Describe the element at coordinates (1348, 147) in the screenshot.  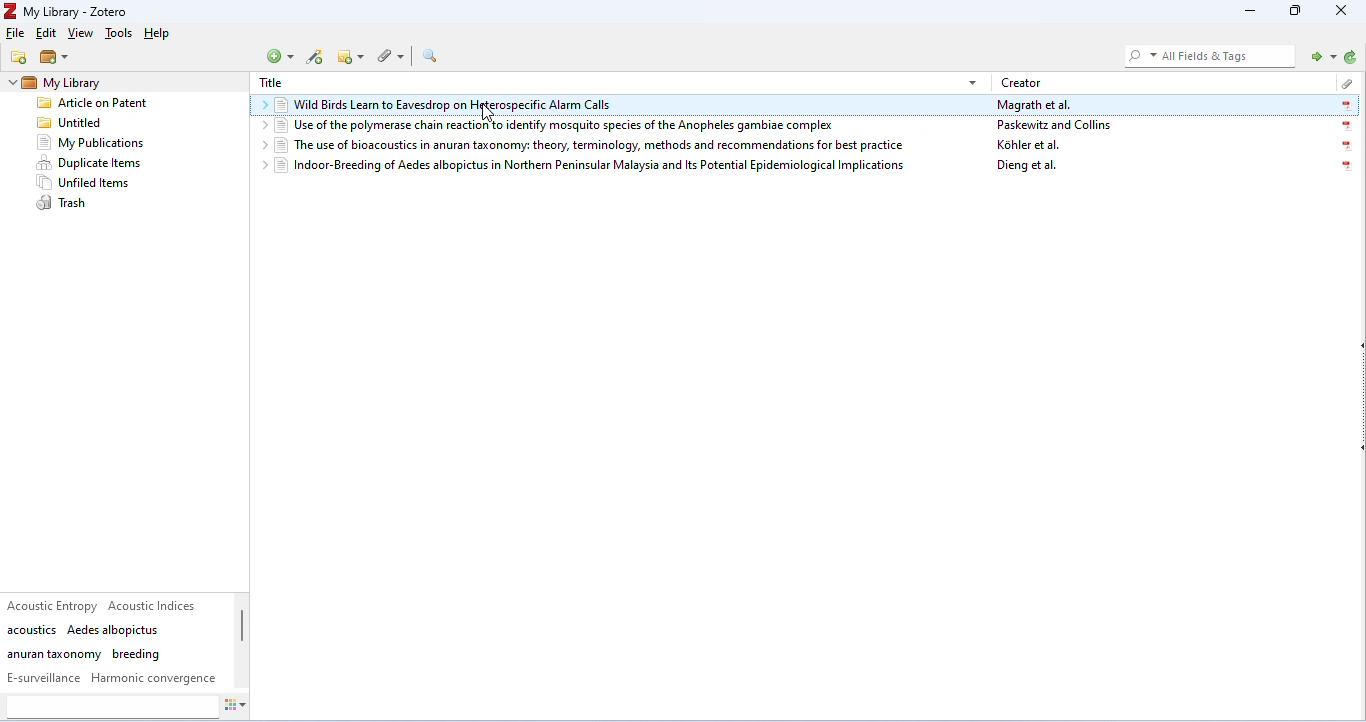
I see `pdf` at that location.